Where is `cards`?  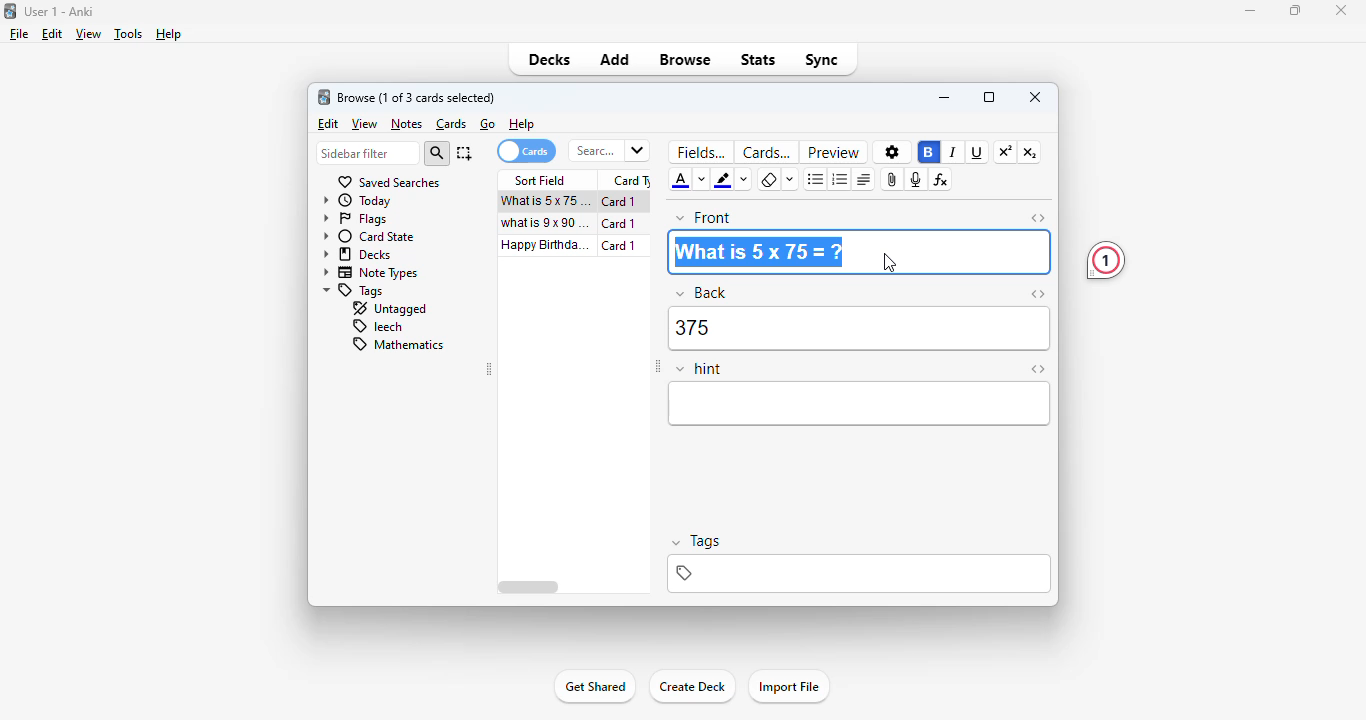
cards is located at coordinates (451, 125).